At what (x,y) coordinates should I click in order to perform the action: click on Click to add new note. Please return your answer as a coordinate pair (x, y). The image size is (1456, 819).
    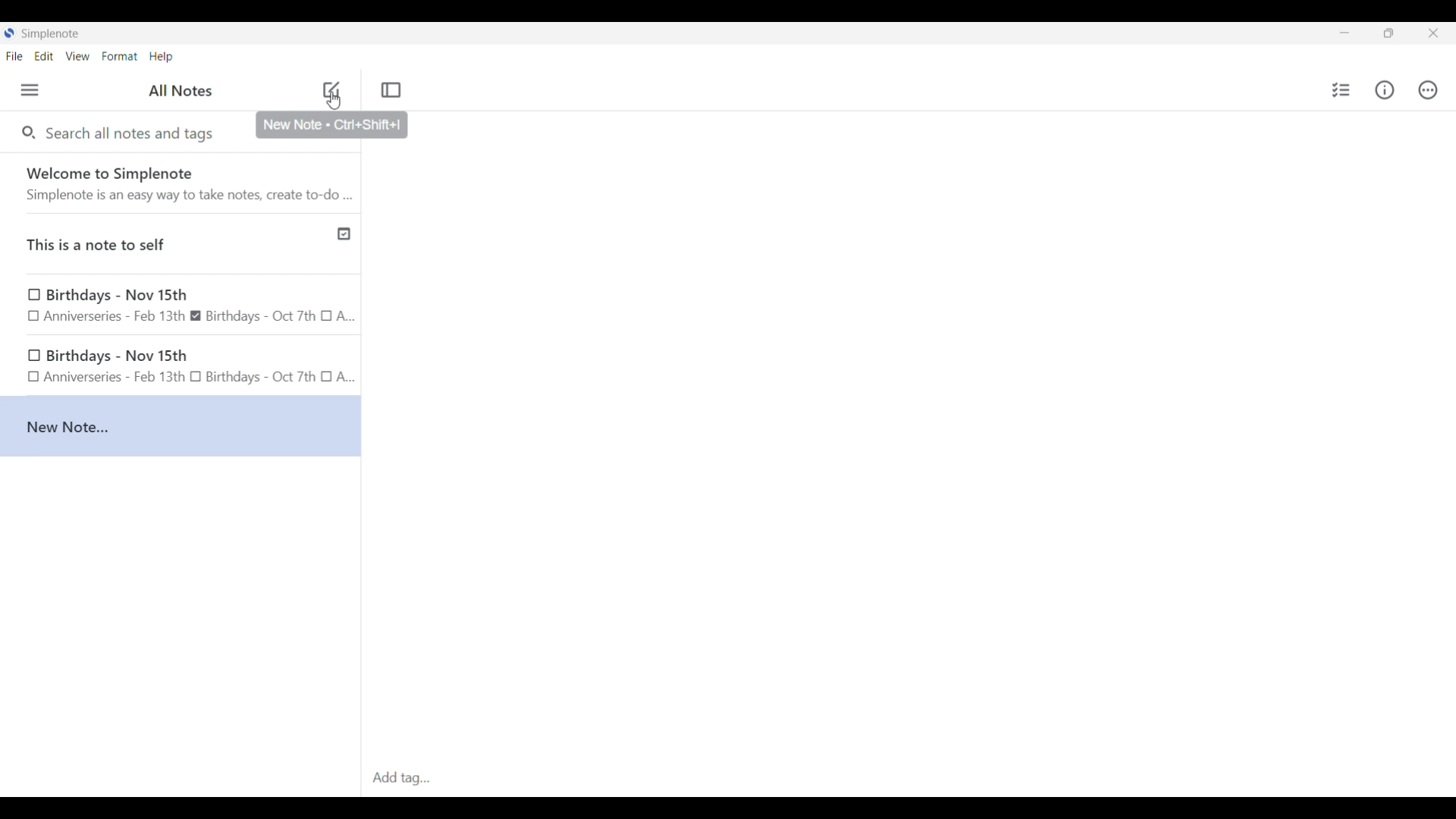
    Looking at the image, I should click on (331, 89).